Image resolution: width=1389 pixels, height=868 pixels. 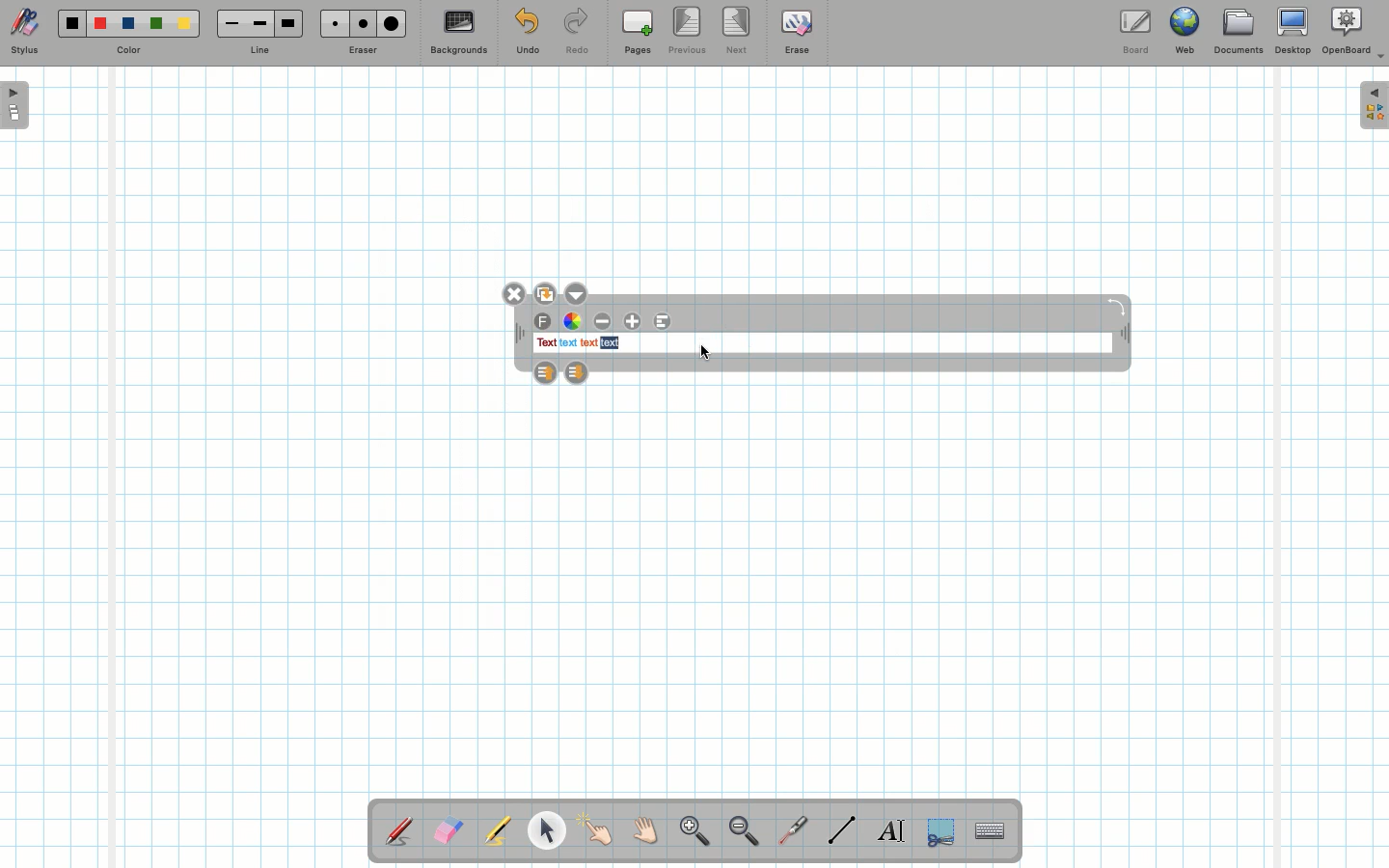 I want to click on Alignment, so click(x=666, y=322).